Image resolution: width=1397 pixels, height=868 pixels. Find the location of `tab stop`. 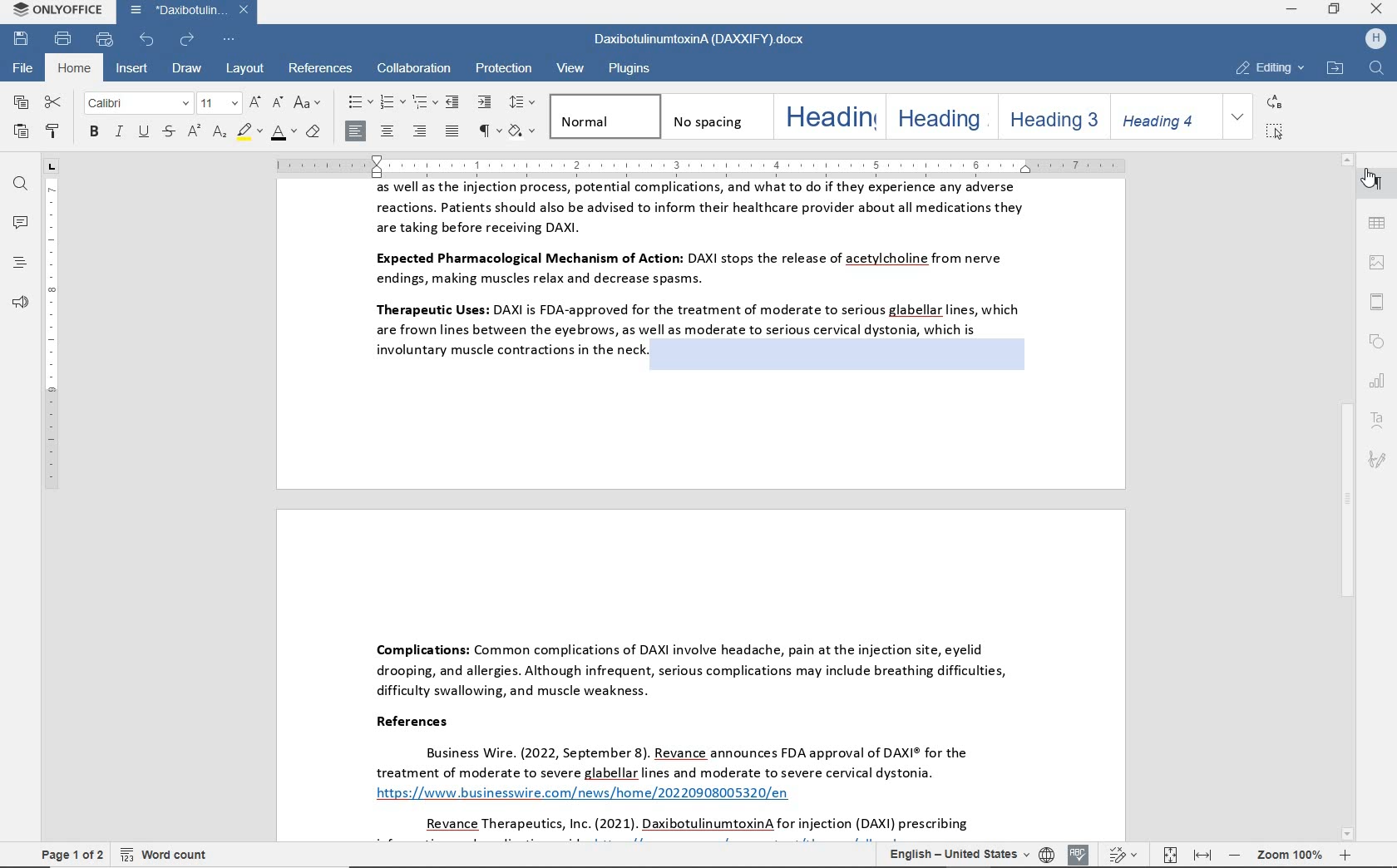

tab stop is located at coordinates (52, 166).